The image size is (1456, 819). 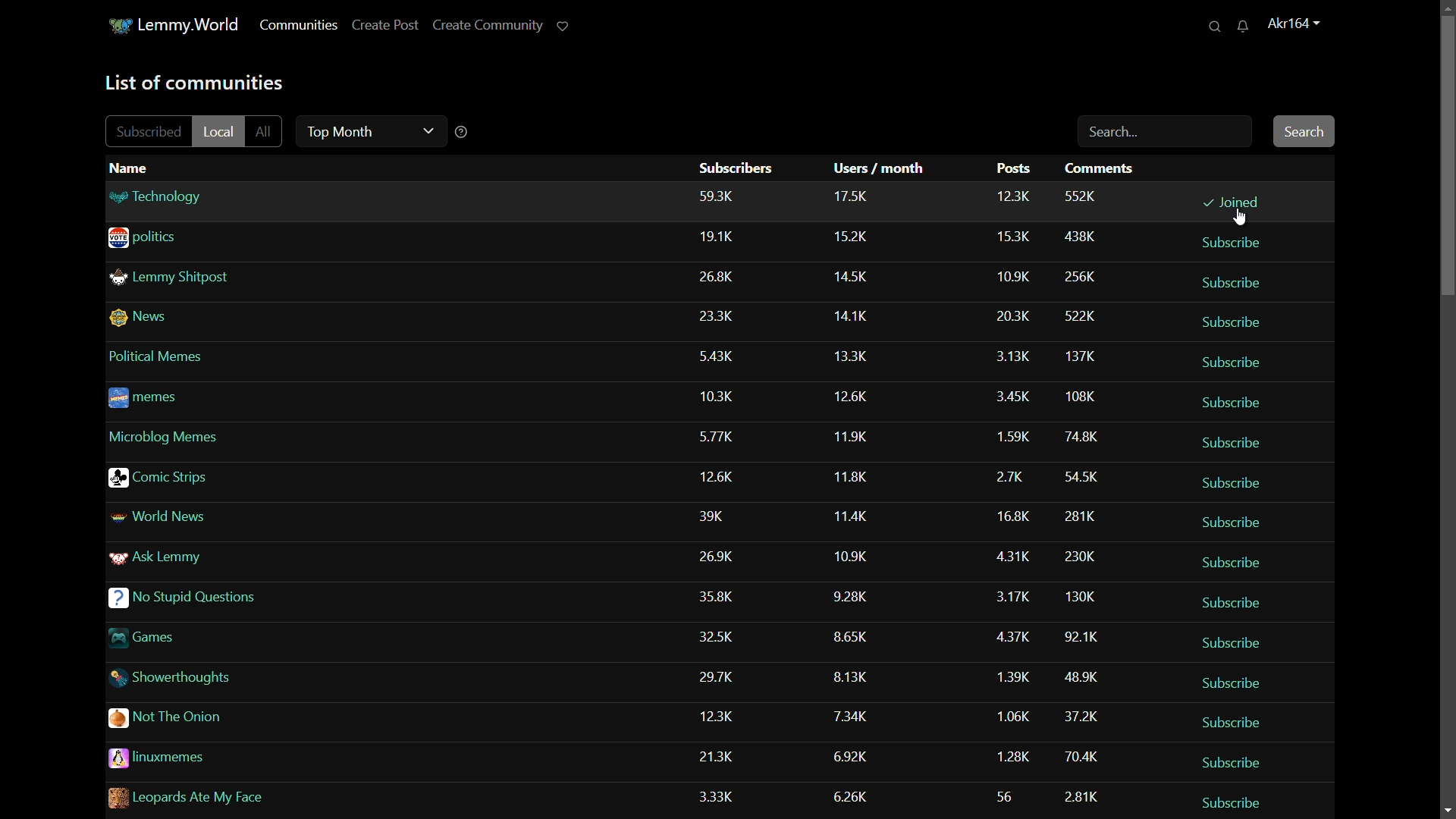 I want to click on top month, so click(x=367, y=130).